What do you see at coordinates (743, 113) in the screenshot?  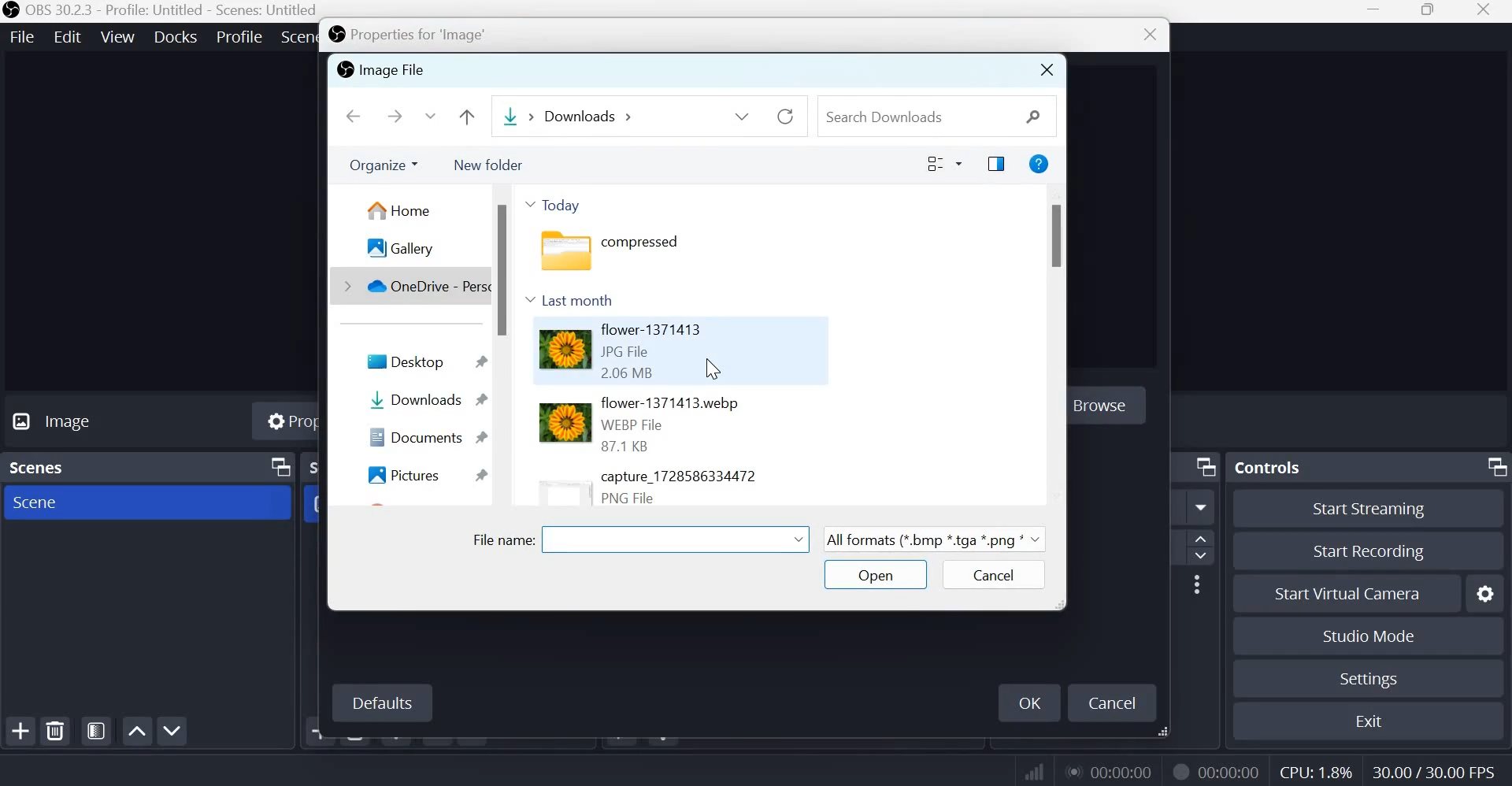 I see `previous locations` at bounding box center [743, 113].